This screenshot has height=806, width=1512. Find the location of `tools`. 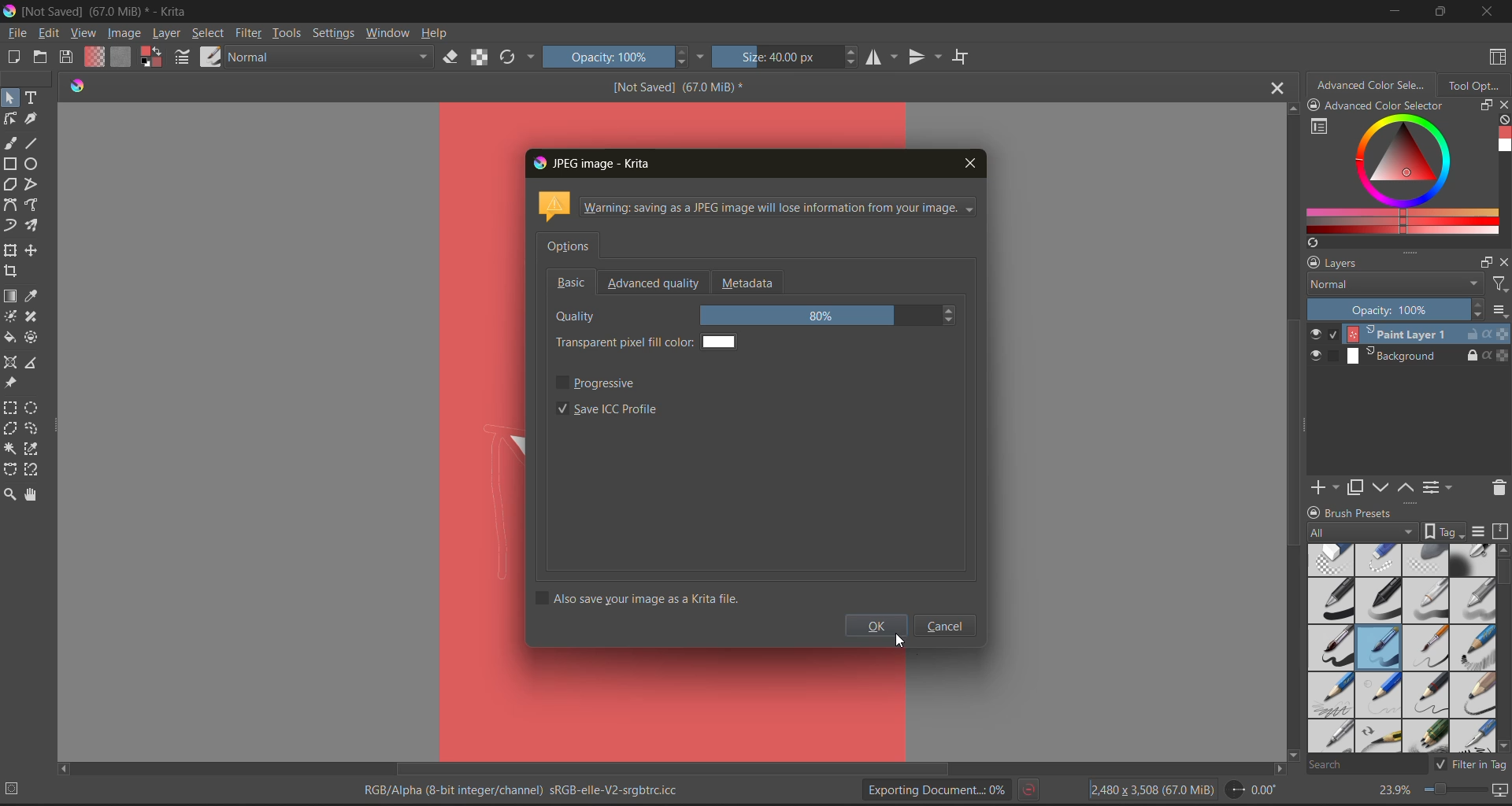

tools is located at coordinates (32, 143).